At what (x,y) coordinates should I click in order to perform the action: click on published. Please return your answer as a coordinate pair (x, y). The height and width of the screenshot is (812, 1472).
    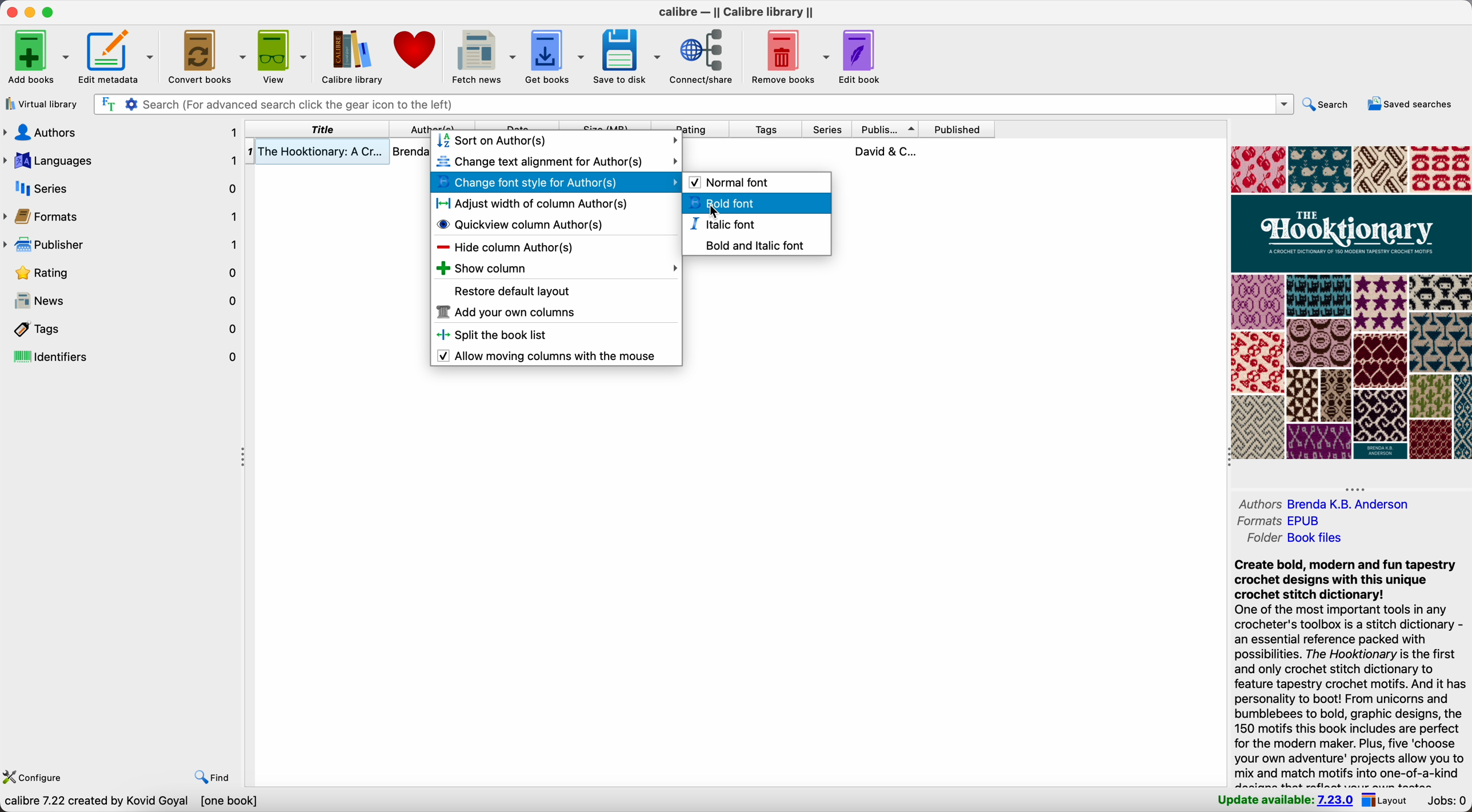
    Looking at the image, I should click on (956, 129).